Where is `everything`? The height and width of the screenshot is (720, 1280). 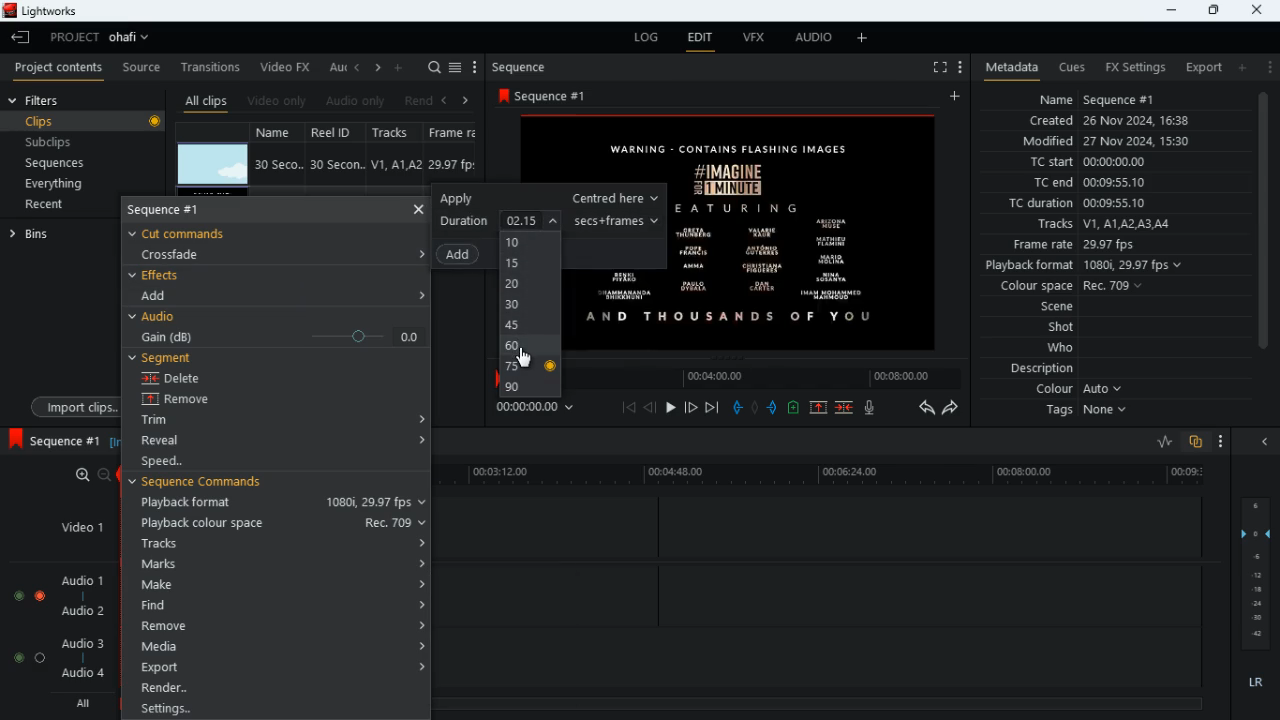 everything is located at coordinates (51, 185).